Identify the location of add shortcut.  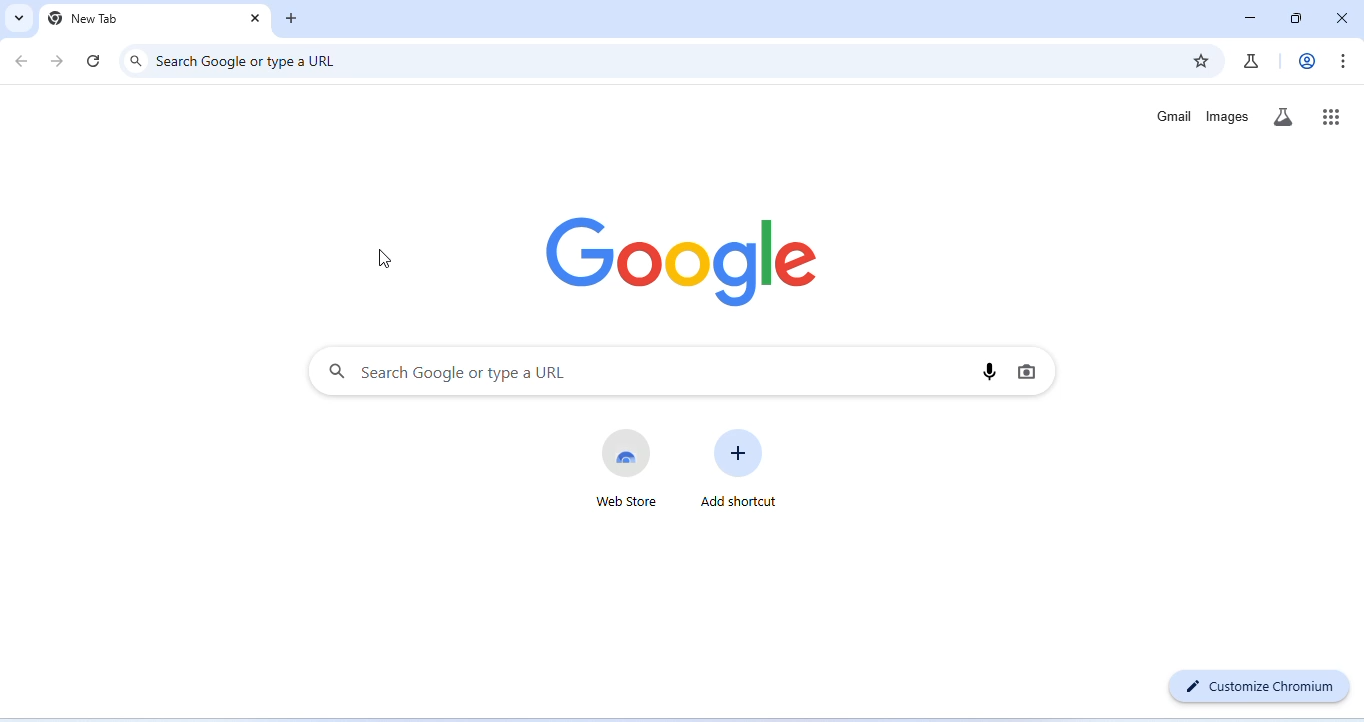
(739, 470).